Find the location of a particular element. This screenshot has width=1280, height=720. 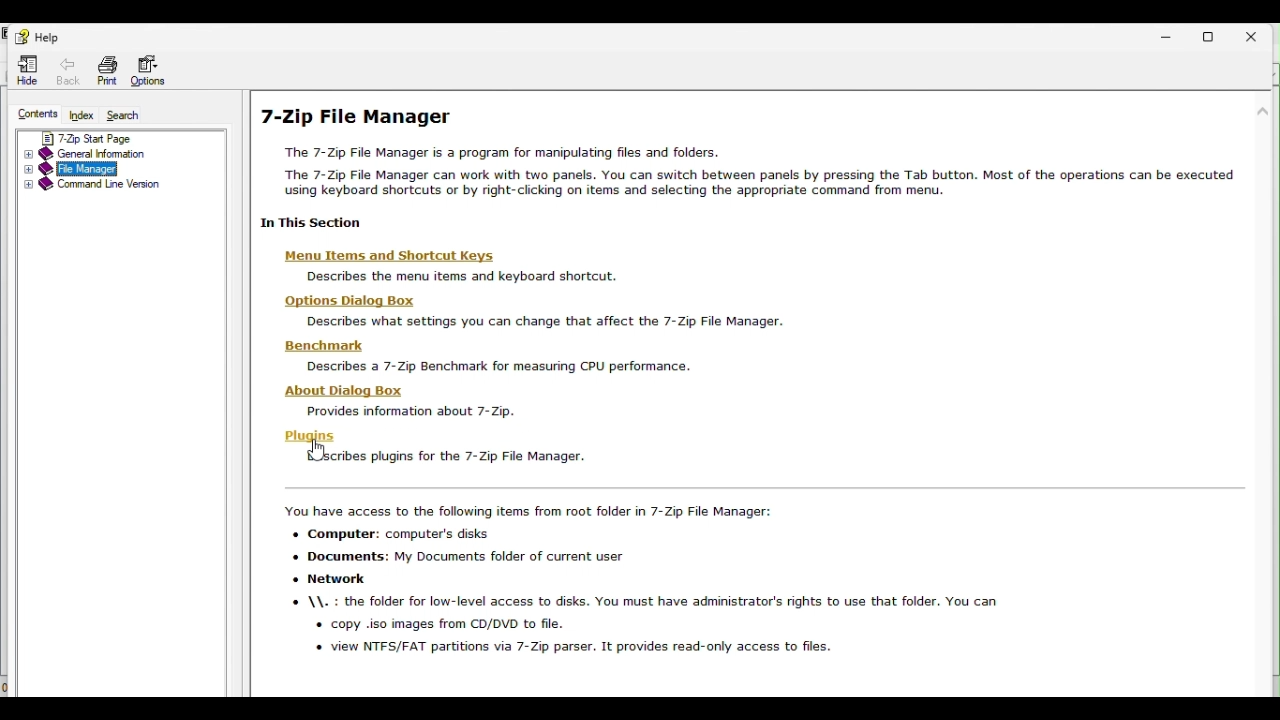

text is located at coordinates (407, 410).